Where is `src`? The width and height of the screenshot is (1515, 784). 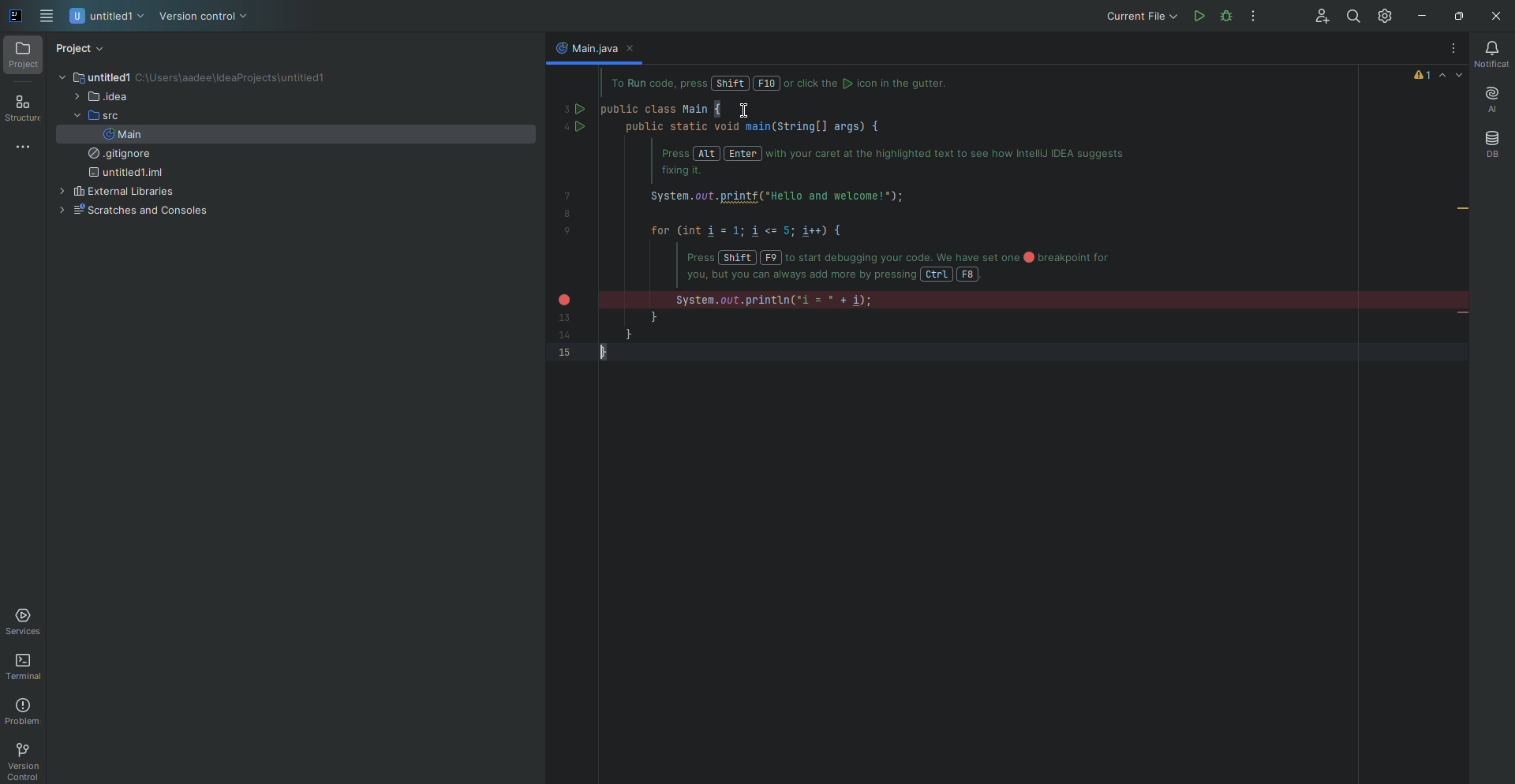 src is located at coordinates (92, 116).